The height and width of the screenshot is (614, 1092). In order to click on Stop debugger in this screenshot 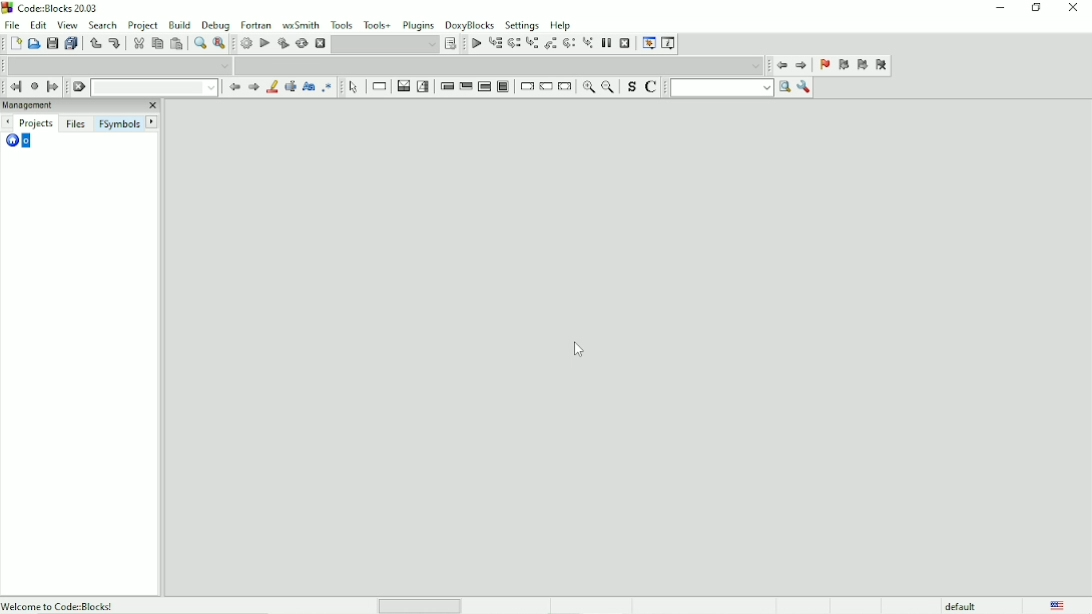, I will do `click(625, 43)`.